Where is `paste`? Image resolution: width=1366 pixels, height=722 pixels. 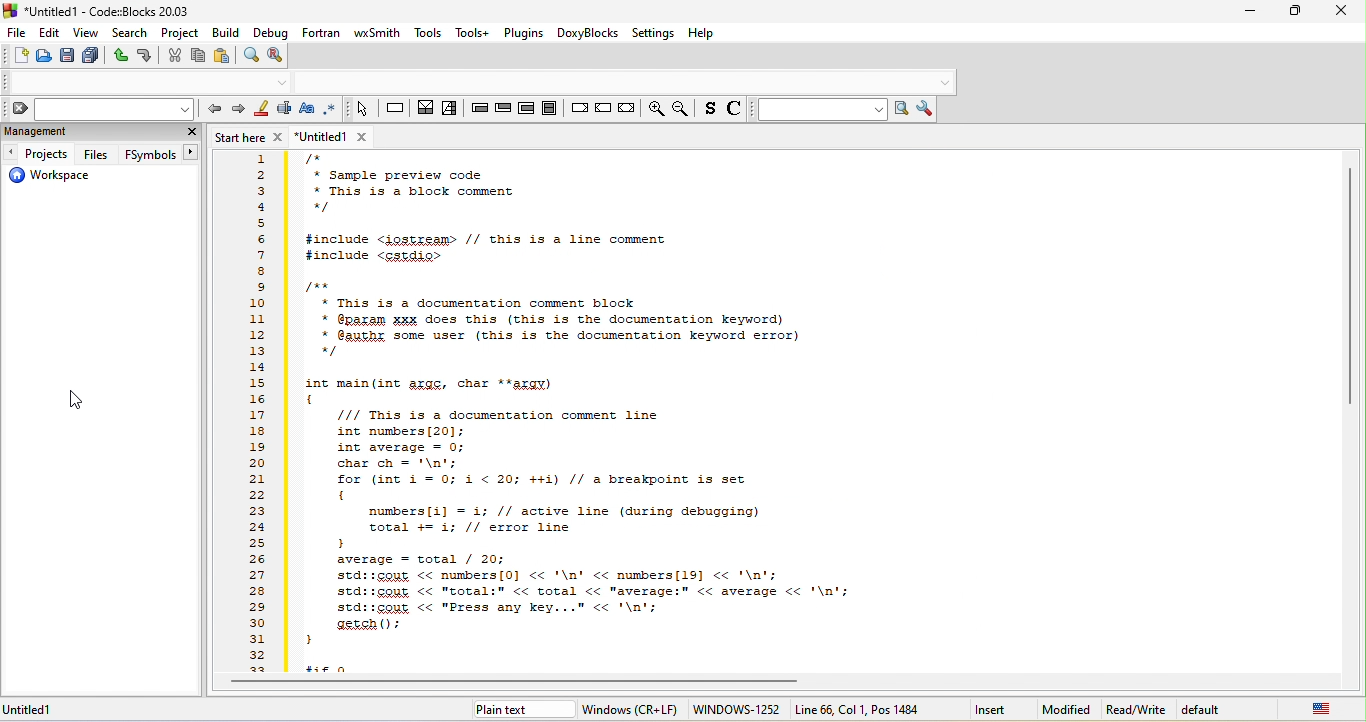
paste is located at coordinates (222, 56).